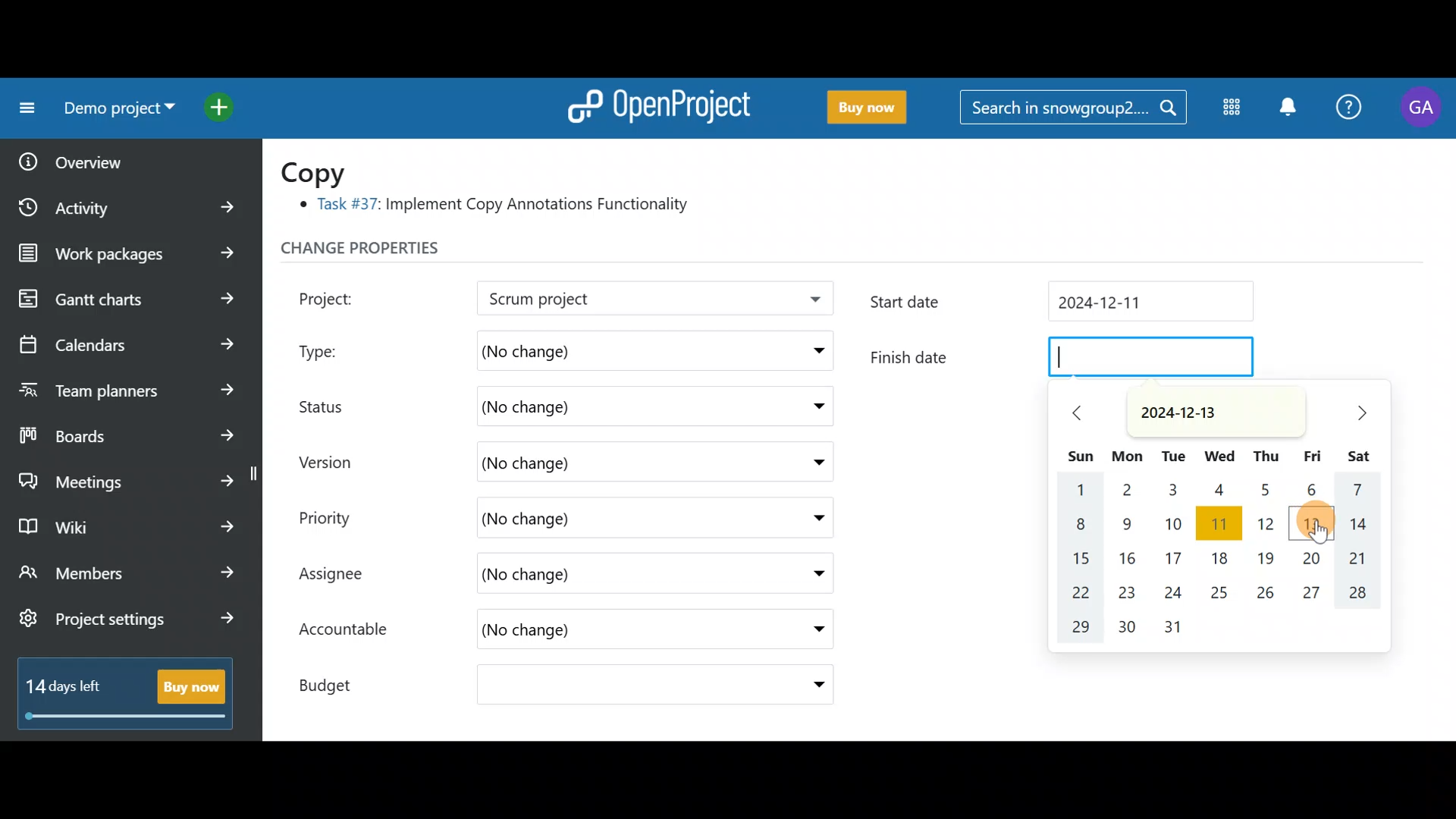 Image resolution: width=1456 pixels, height=819 pixels. I want to click on Team planners, so click(124, 385).